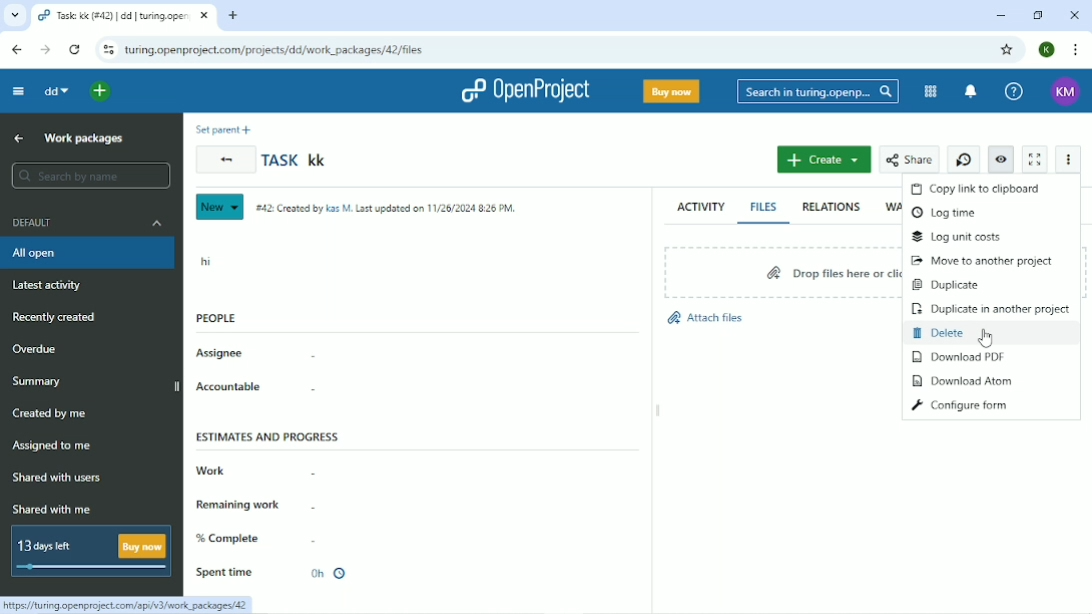  I want to click on Download PDF, so click(964, 359).